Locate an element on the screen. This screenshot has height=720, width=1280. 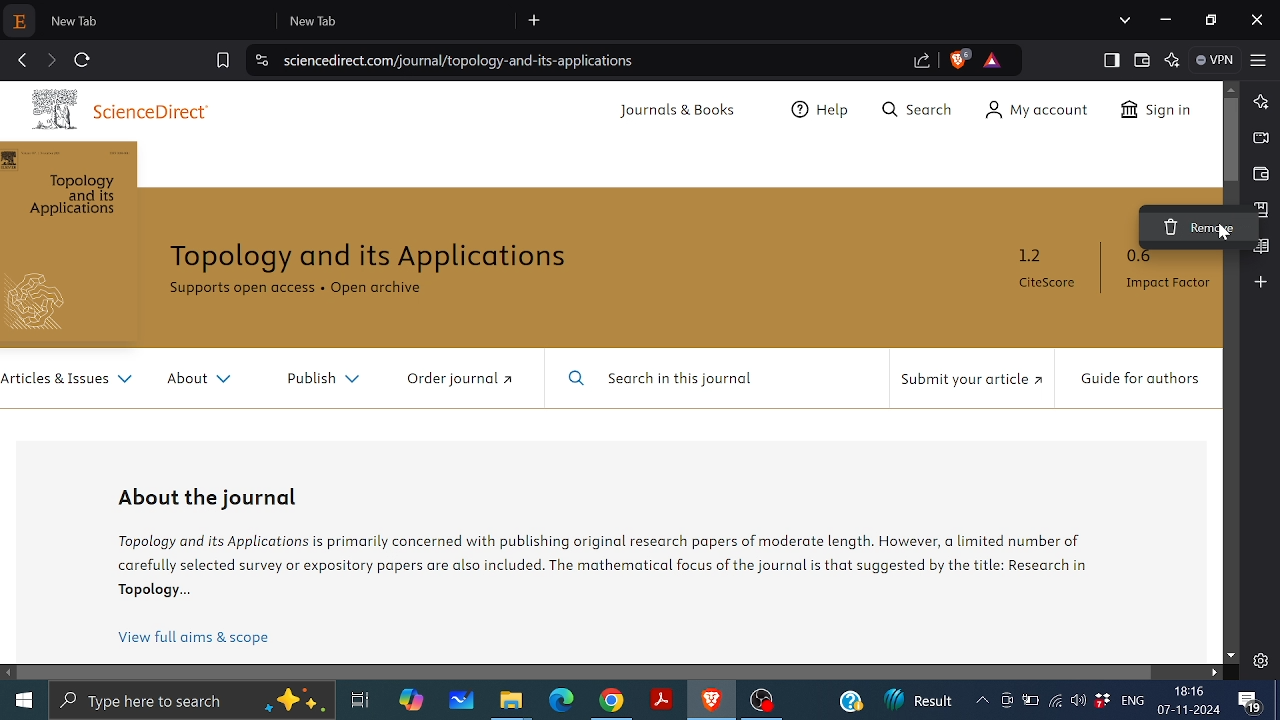
Minimize is located at coordinates (1167, 20).